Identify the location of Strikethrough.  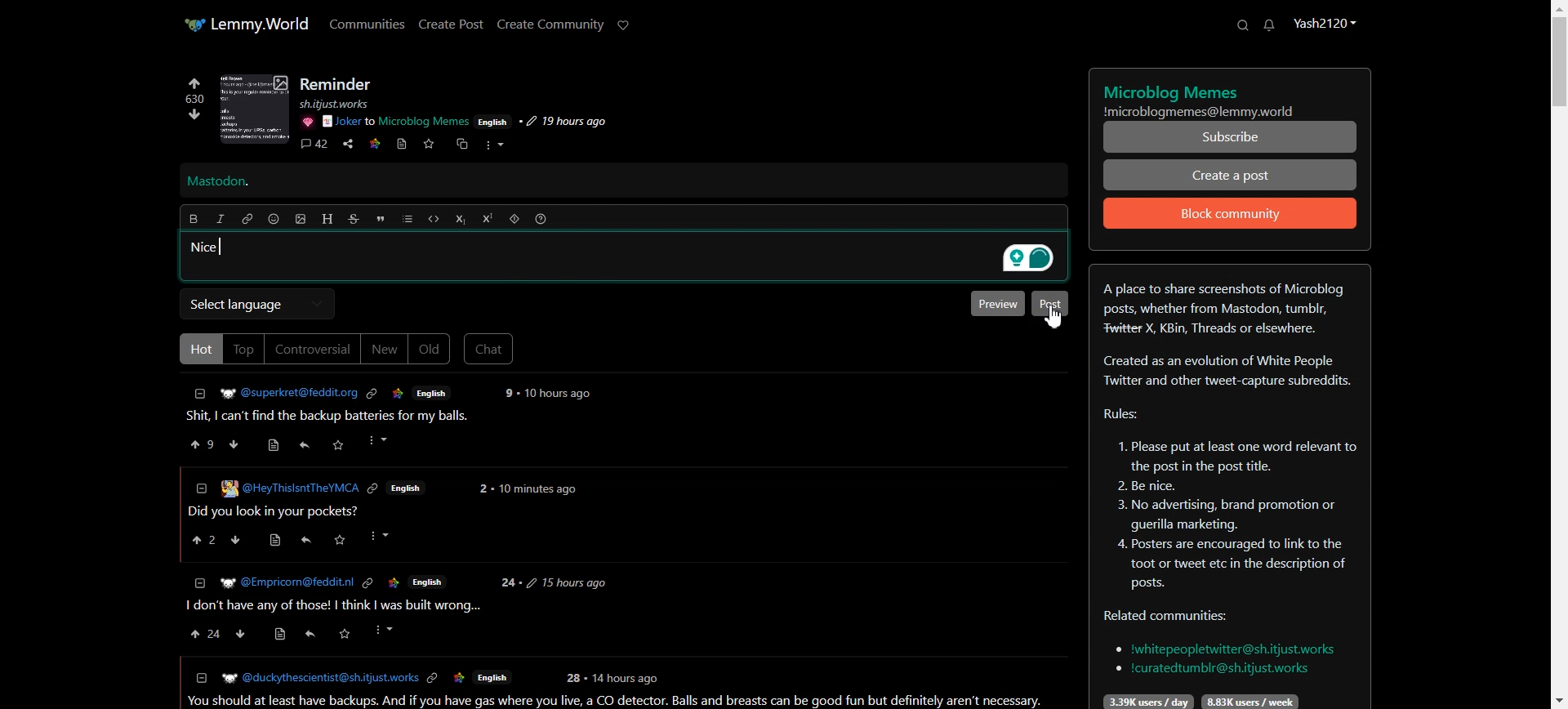
(354, 219).